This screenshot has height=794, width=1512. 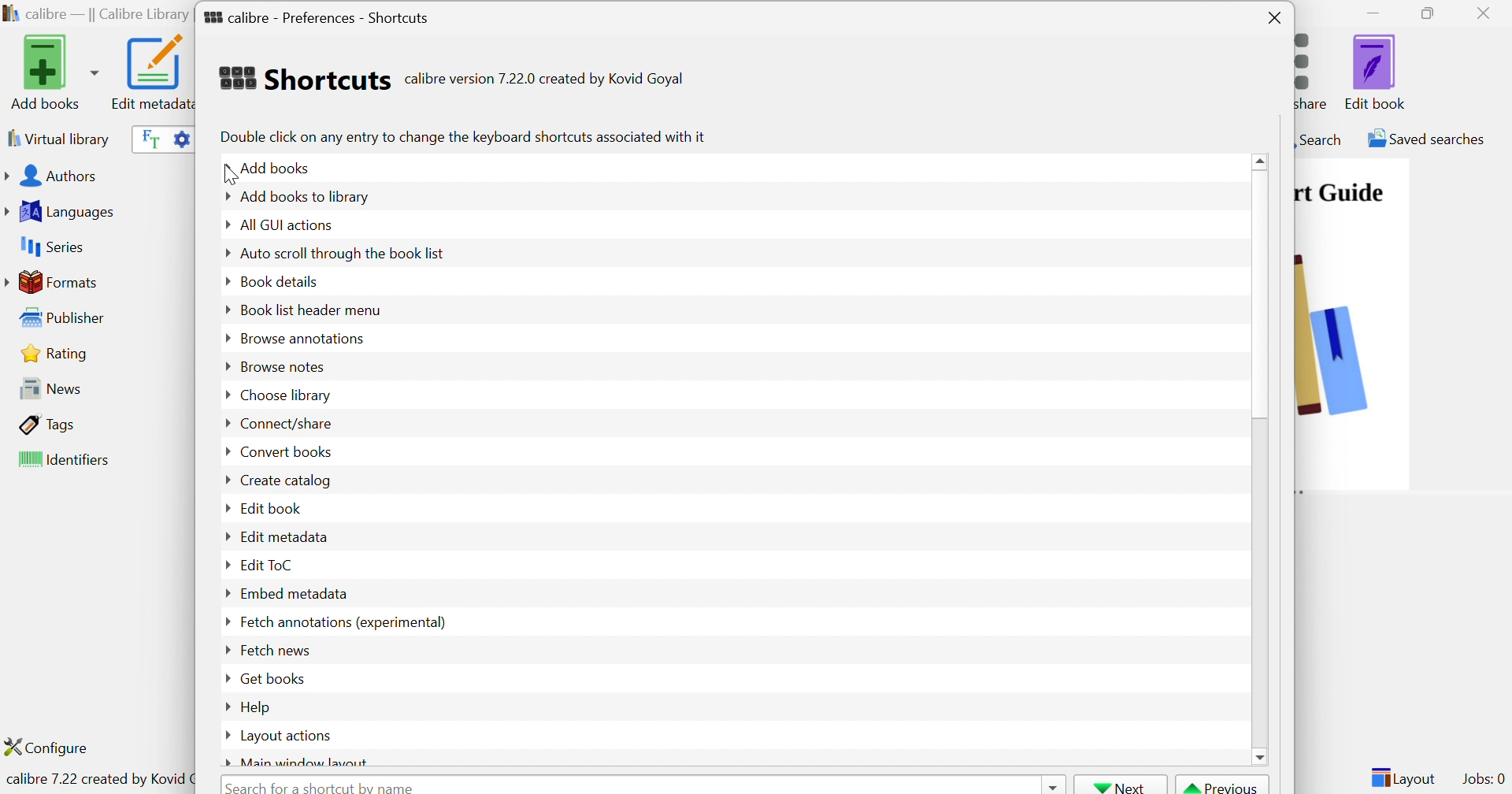 I want to click on calibre - || Calibre Library ||, so click(x=95, y=15).